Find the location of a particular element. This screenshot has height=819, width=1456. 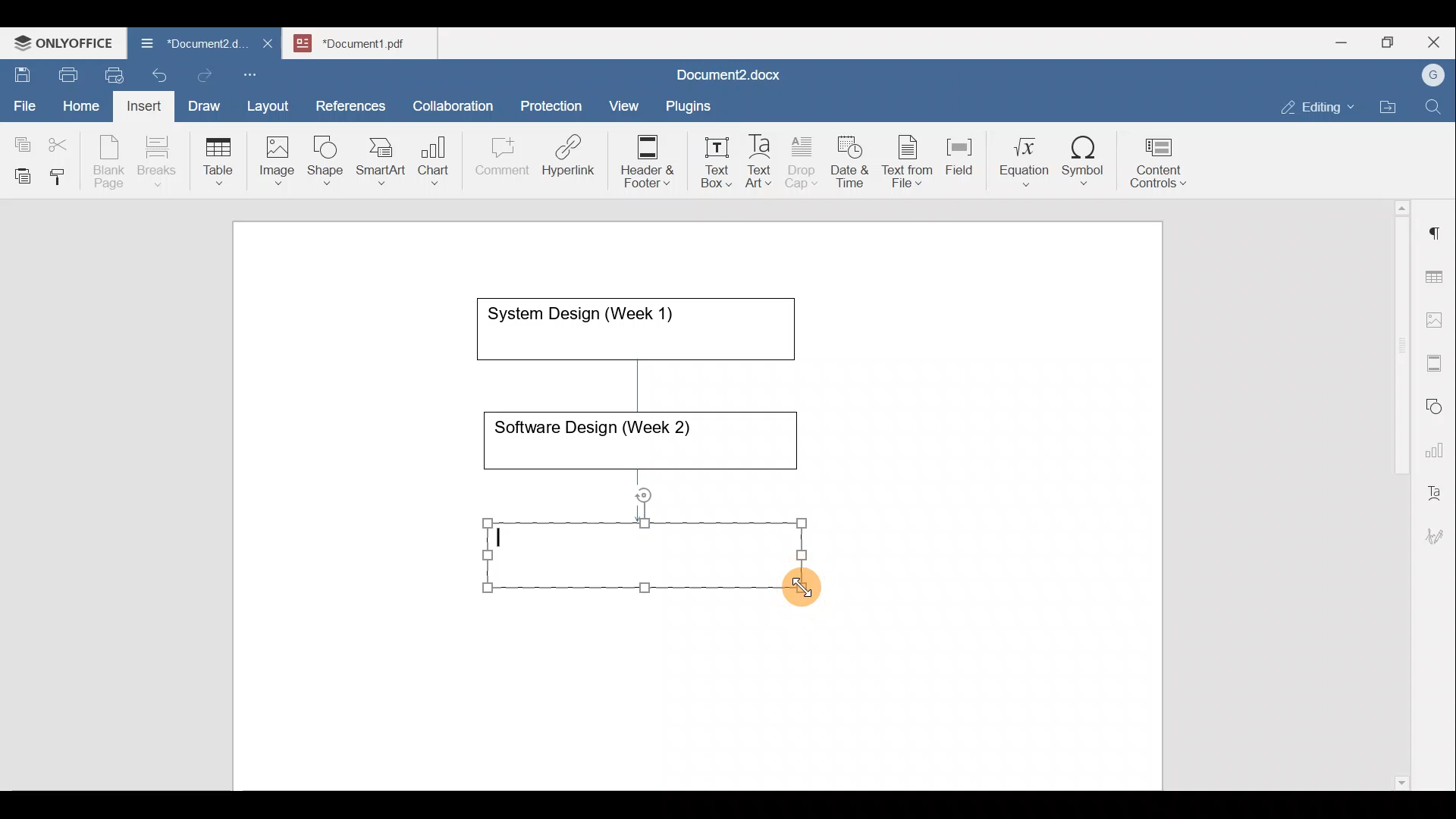

Collaboration is located at coordinates (450, 98).